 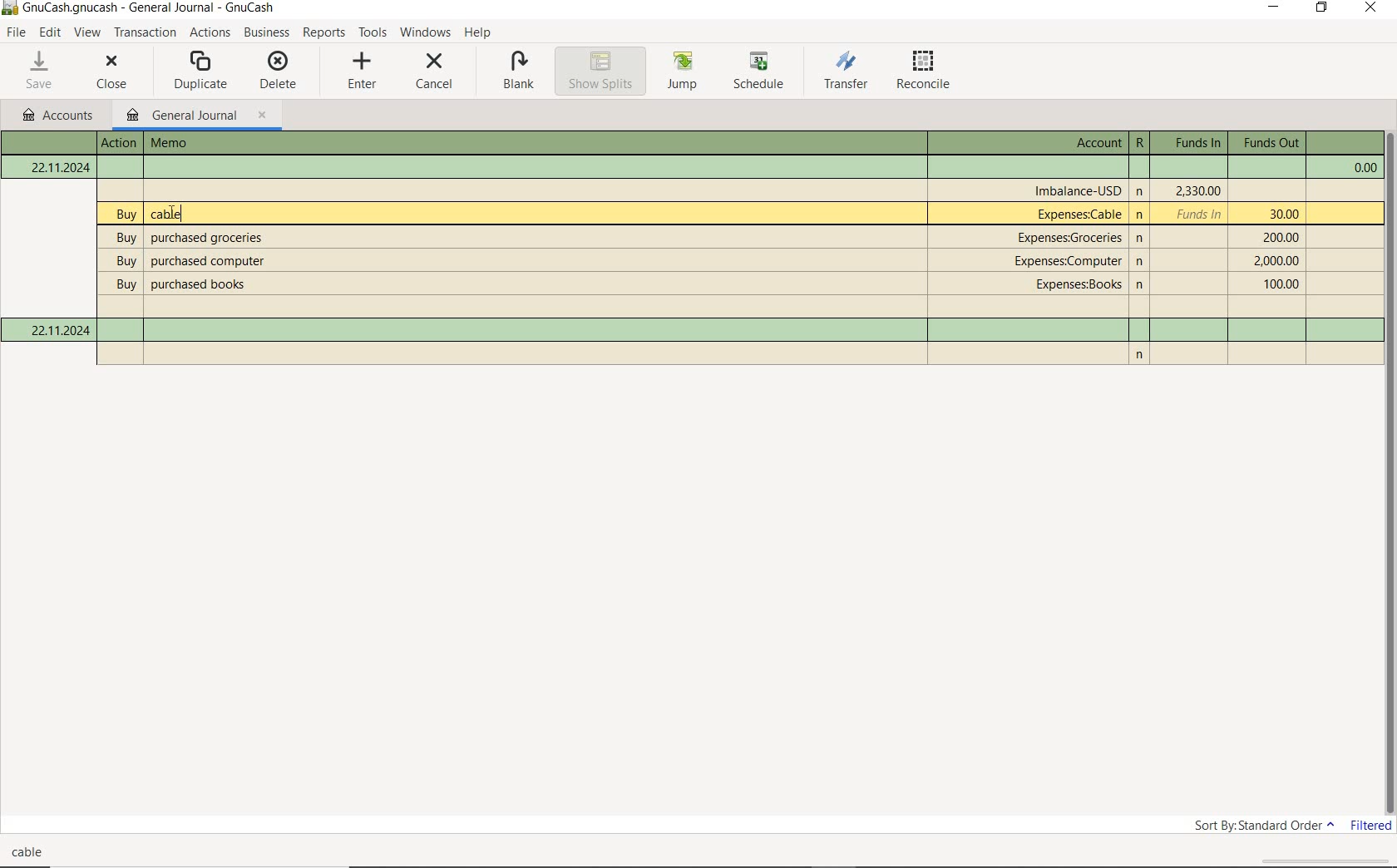 I want to click on reconcile, so click(x=927, y=73).